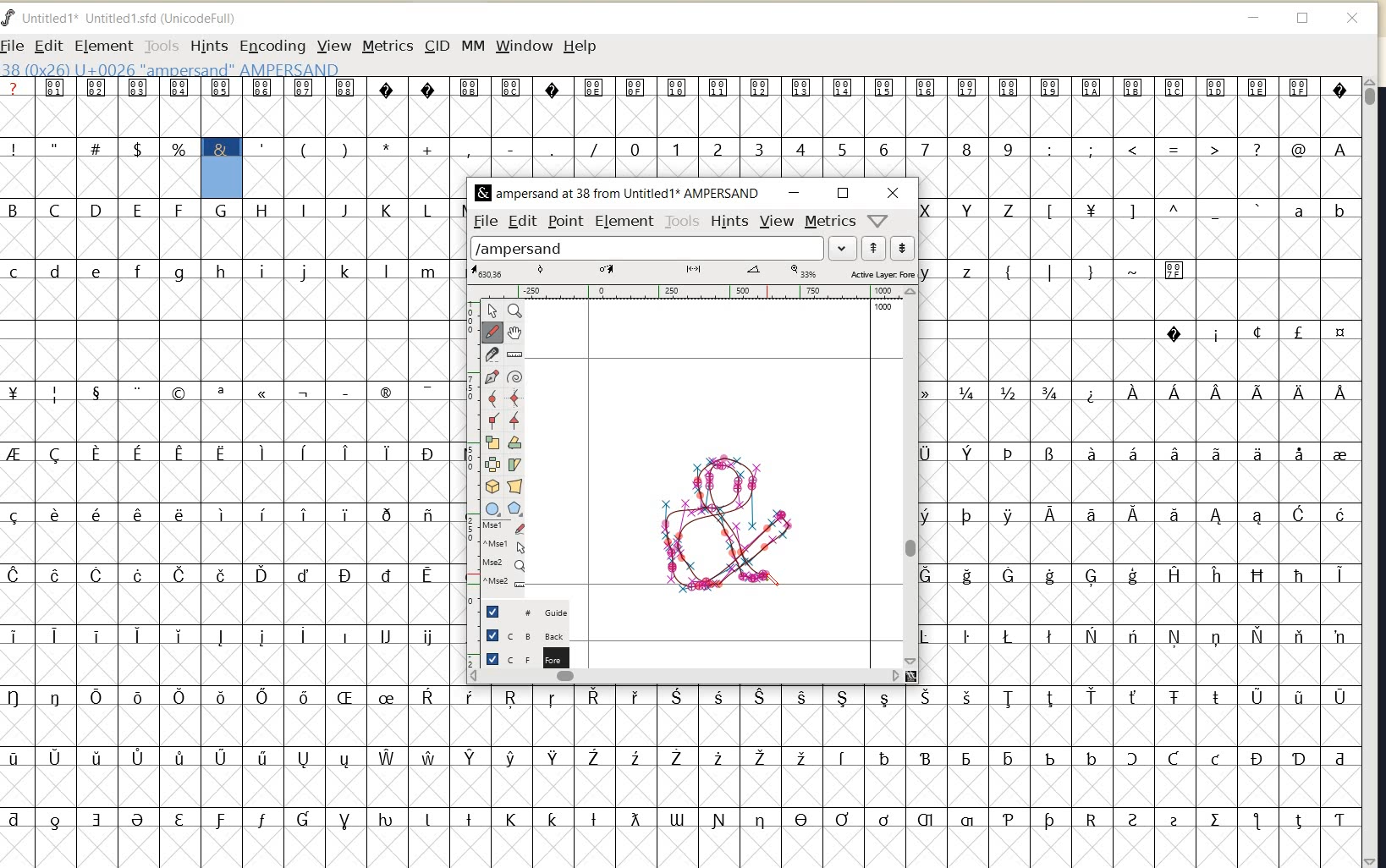  I want to click on cut splines in two, so click(491, 354).